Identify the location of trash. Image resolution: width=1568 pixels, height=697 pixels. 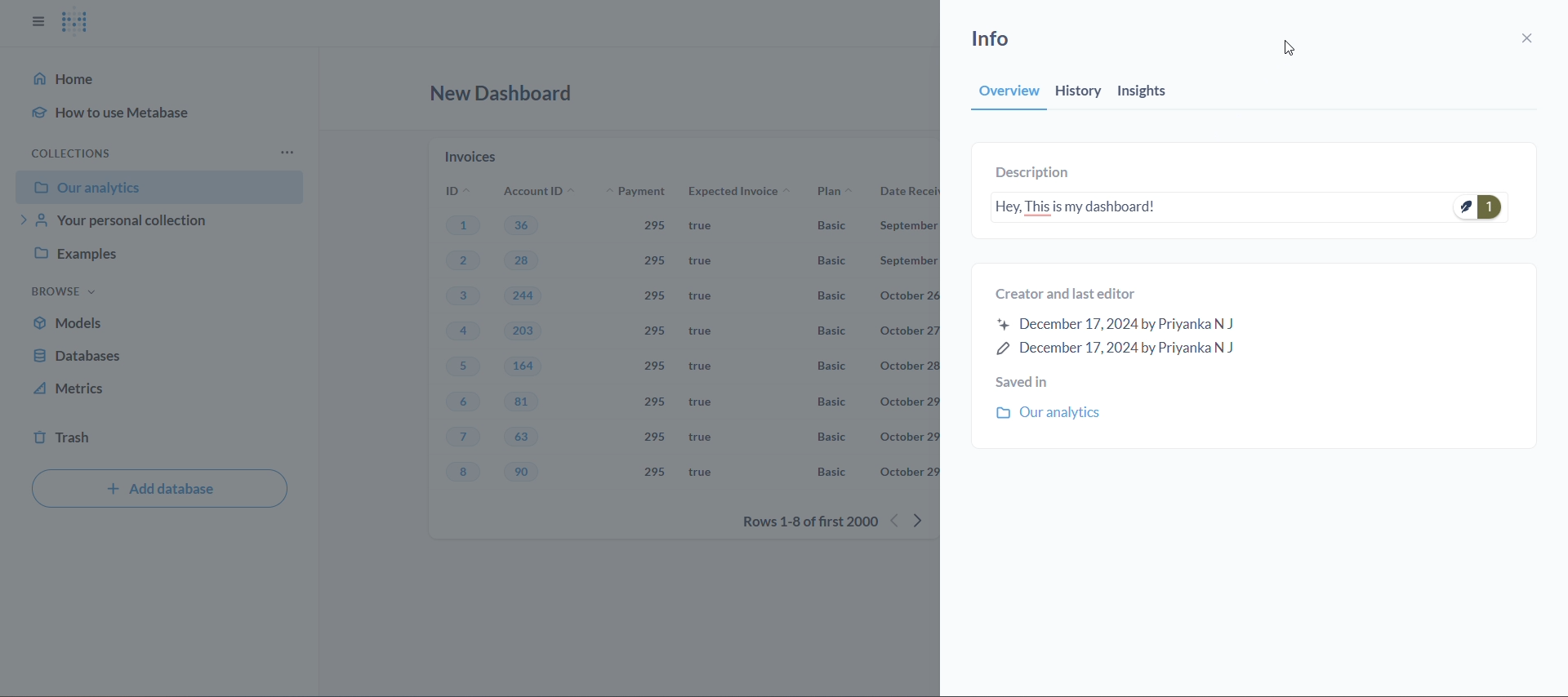
(163, 437).